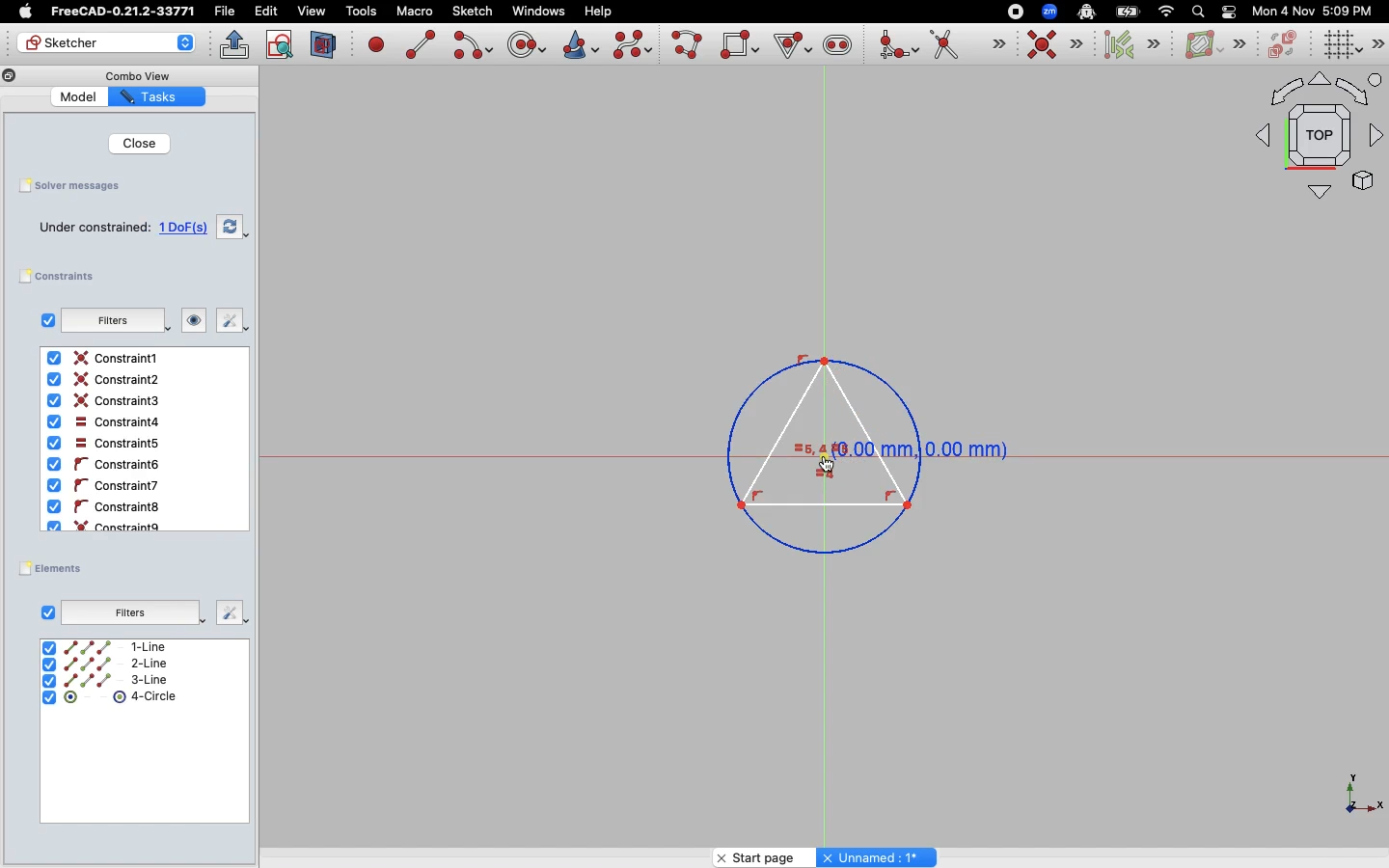  I want to click on Constraint6, so click(108, 485).